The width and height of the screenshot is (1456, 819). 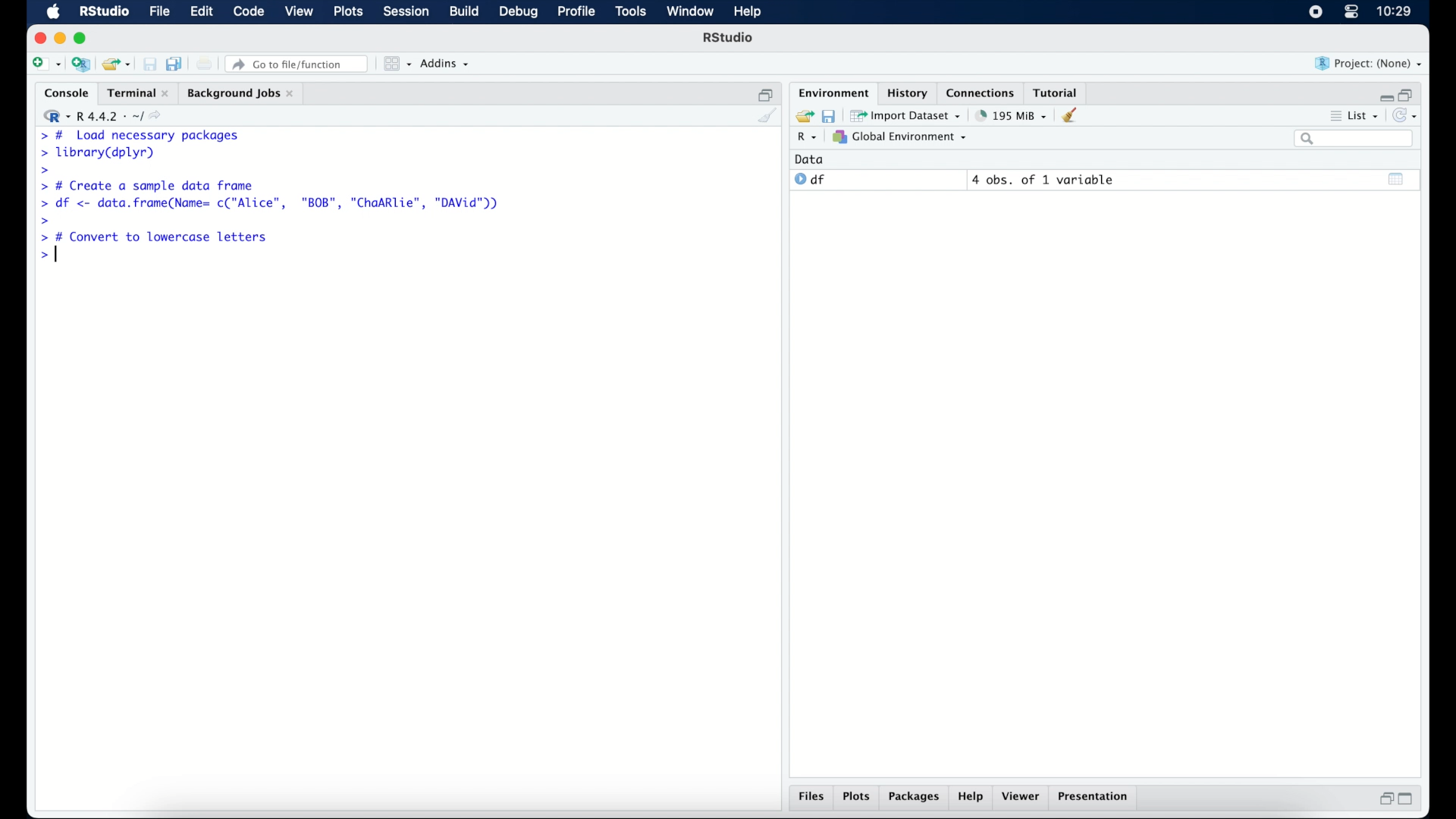 I want to click on addins, so click(x=445, y=64).